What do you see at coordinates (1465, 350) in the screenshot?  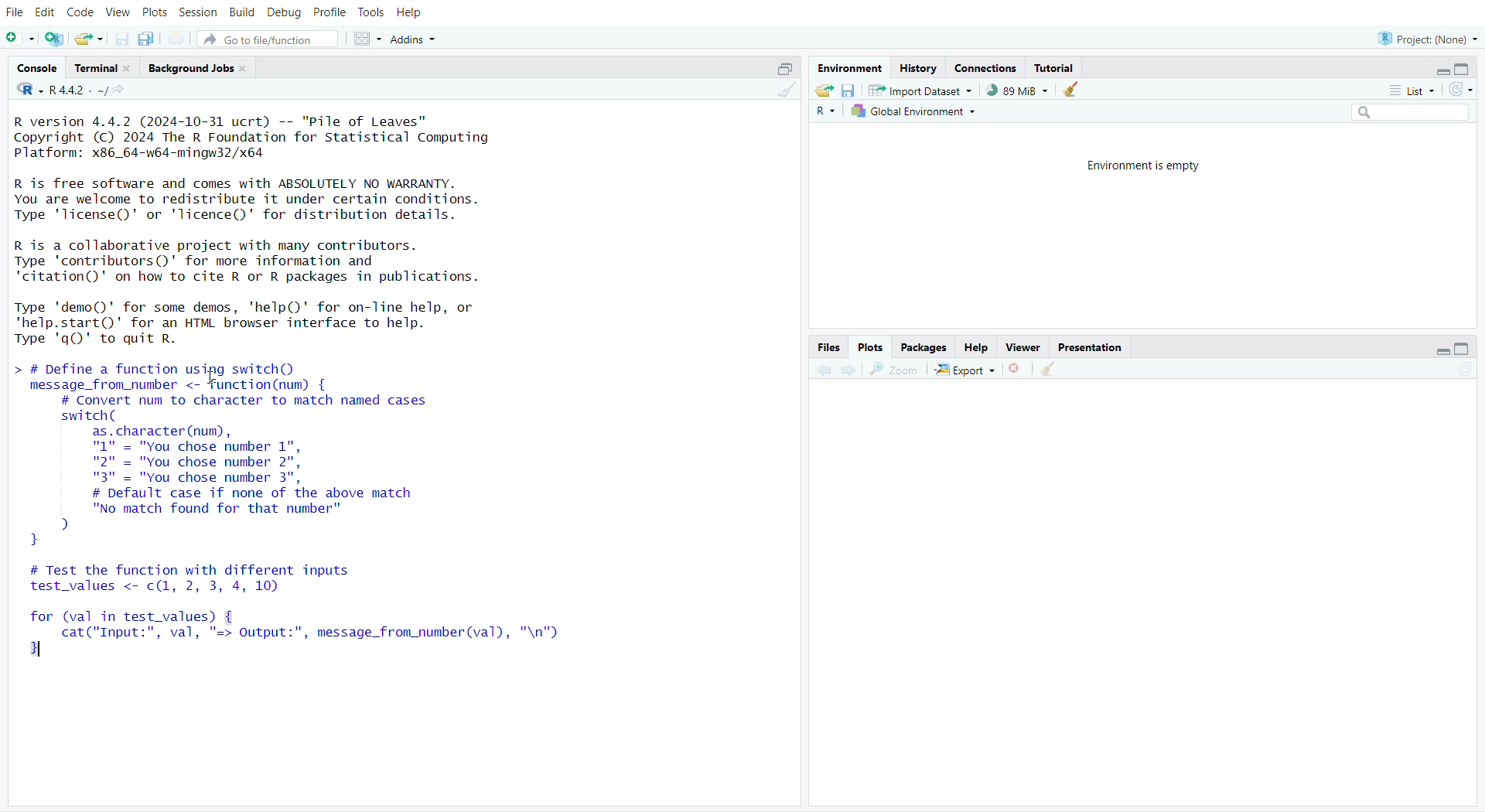 I see `Maximize` at bounding box center [1465, 350].